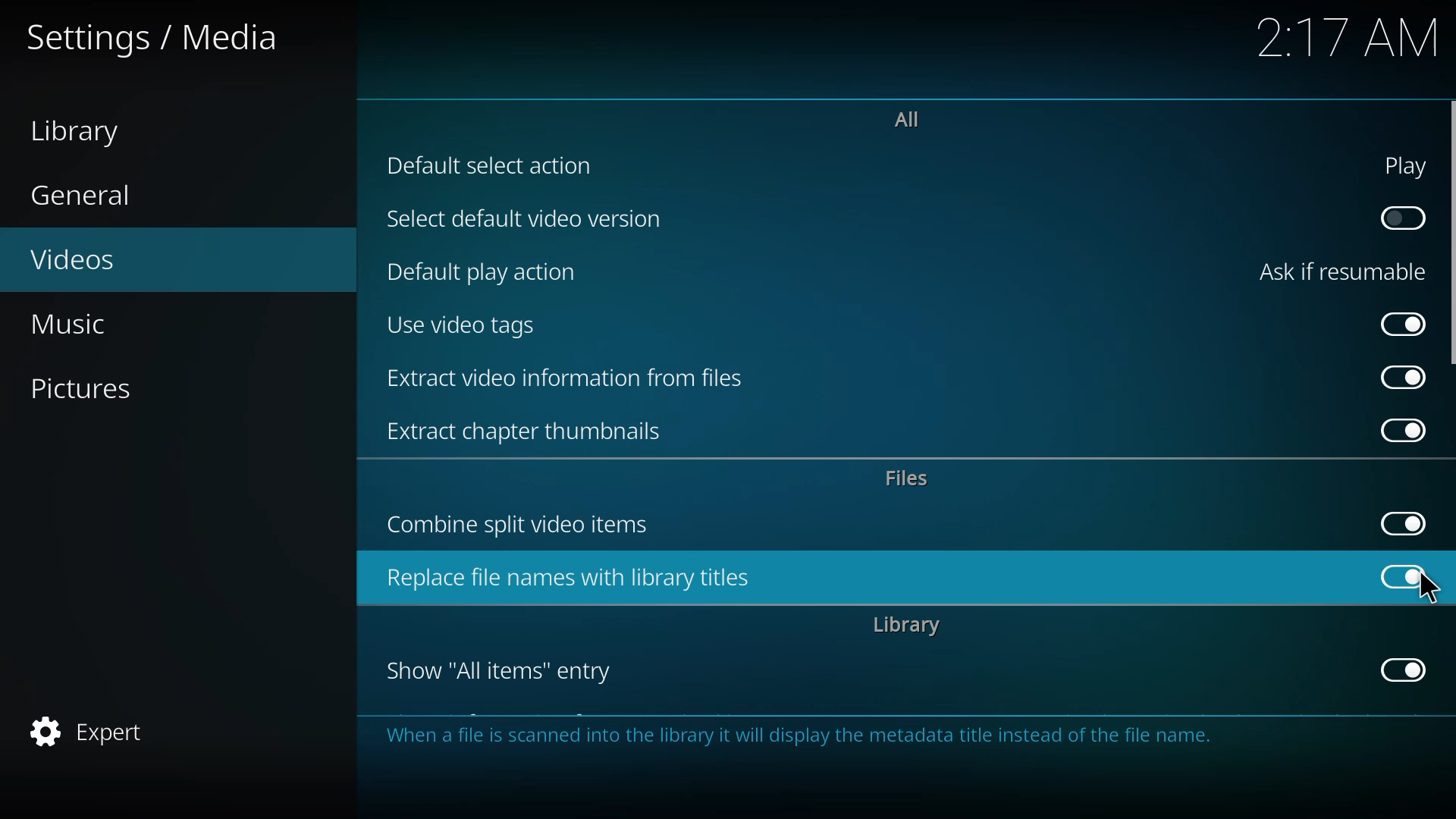 The width and height of the screenshot is (1456, 819). What do you see at coordinates (907, 118) in the screenshot?
I see `all` at bounding box center [907, 118].